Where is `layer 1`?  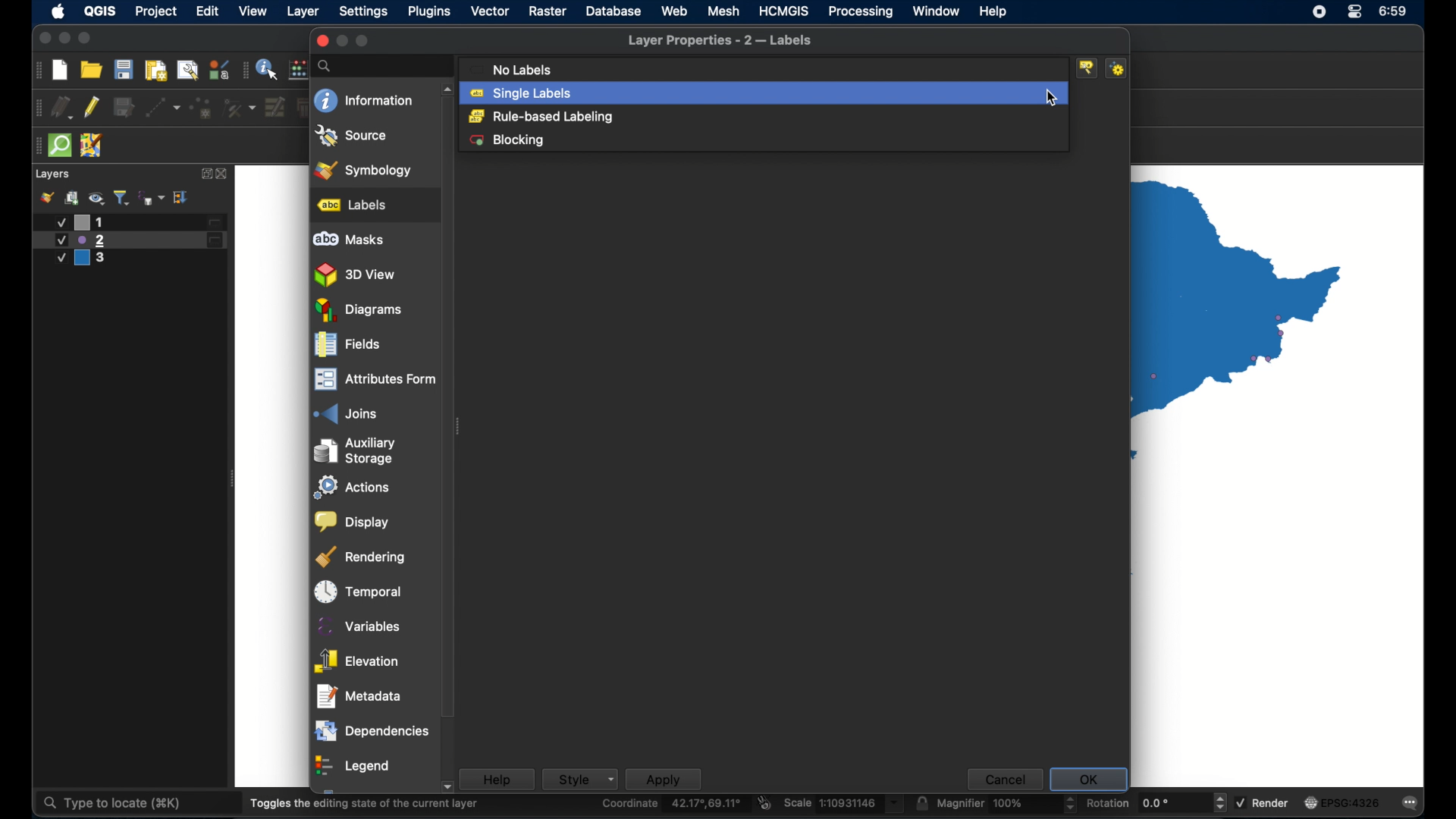
layer 1 is located at coordinates (136, 222).